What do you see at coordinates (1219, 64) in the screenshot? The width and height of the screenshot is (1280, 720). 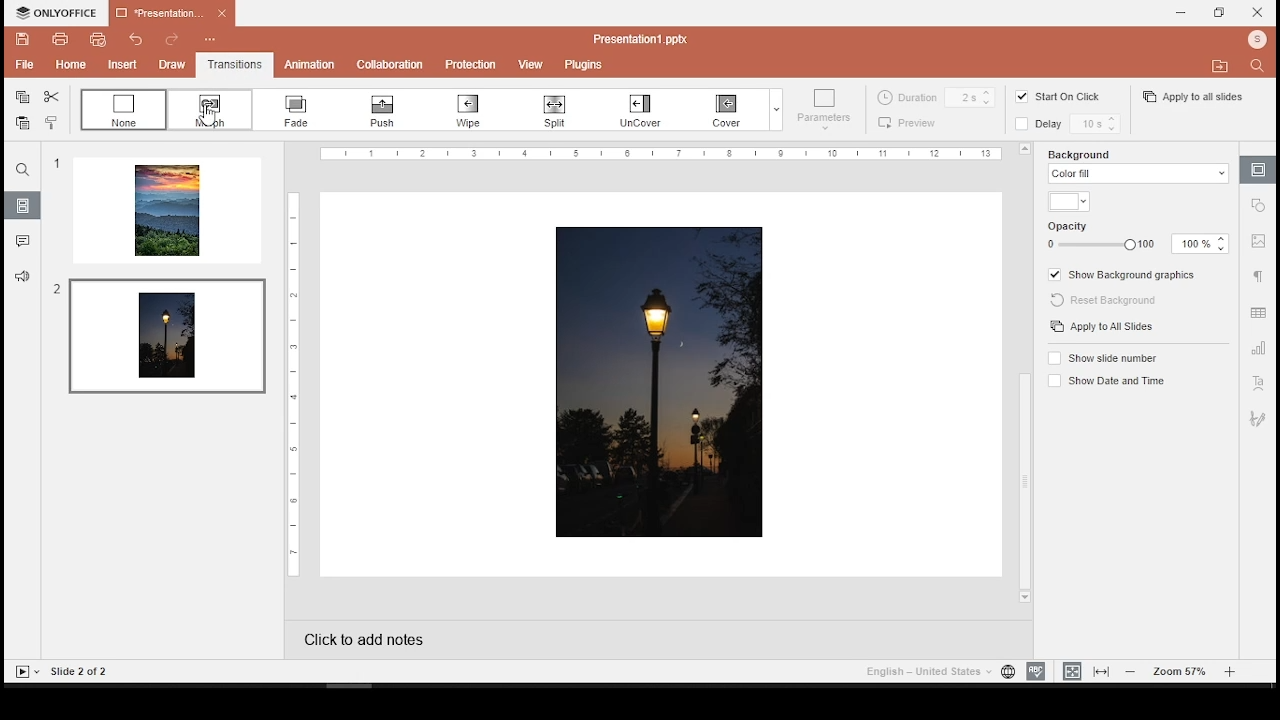 I see `move` at bounding box center [1219, 64].